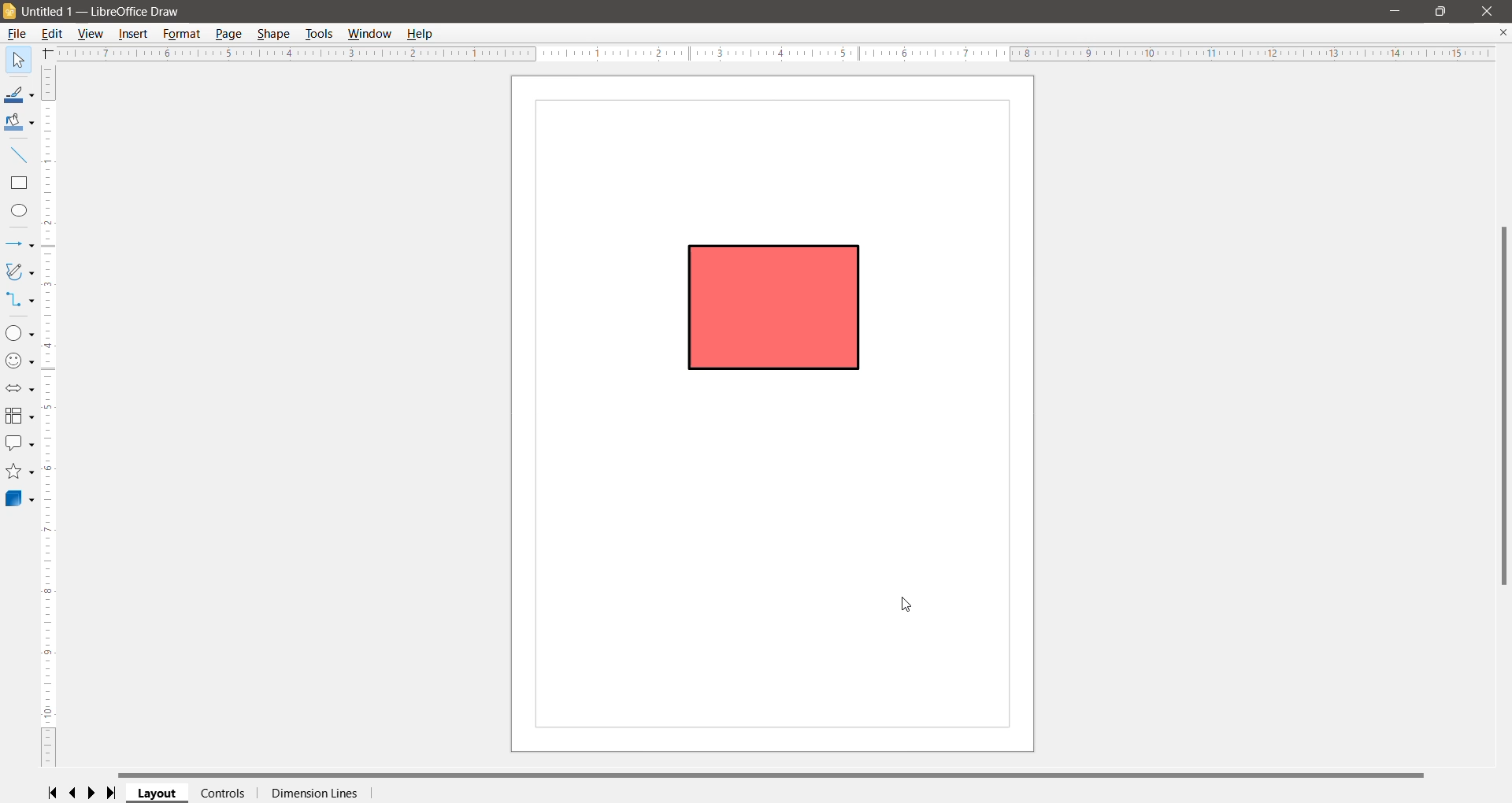 Image resolution: width=1512 pixels, height=803 pixels. What do you see at coordinates (92, 34) in the screenshot?
I see `View` at bounding box center [92, 34].